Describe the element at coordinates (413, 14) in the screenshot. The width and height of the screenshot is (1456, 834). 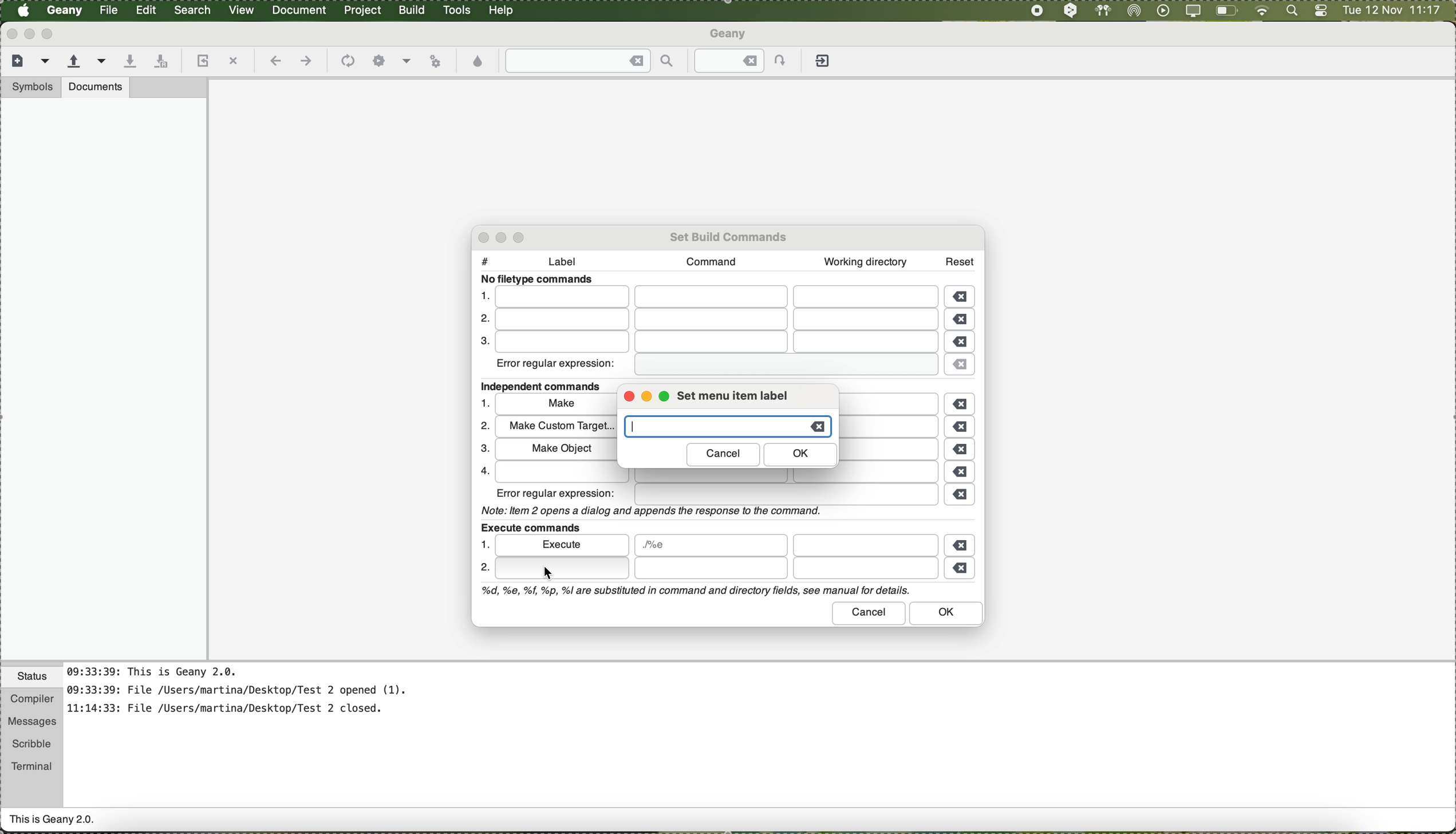
I see `click on build` at that location.